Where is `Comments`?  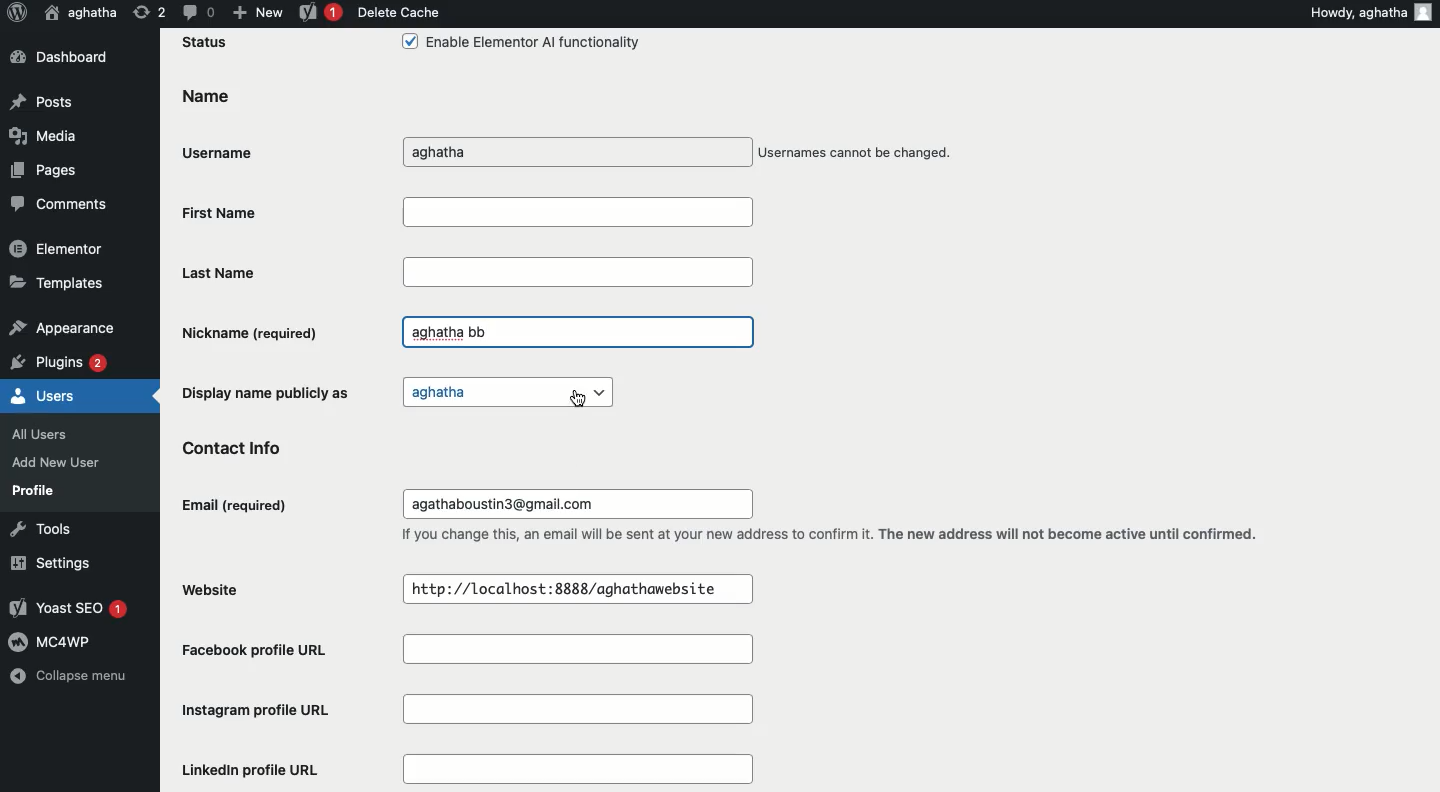
Comments is located at coordinates (60, 205).